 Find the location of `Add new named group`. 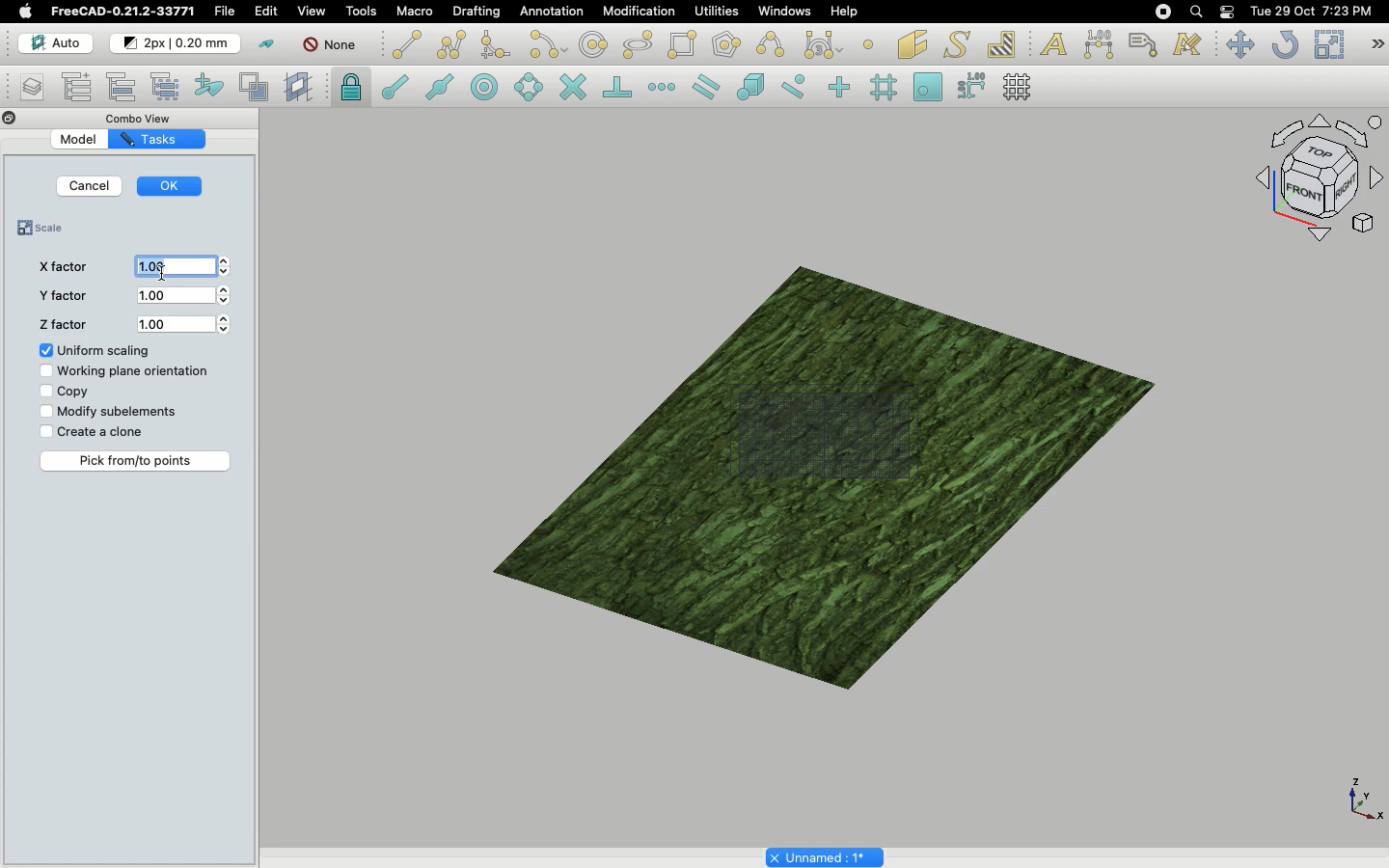

Add new named group is located at coordinates (78, 86).